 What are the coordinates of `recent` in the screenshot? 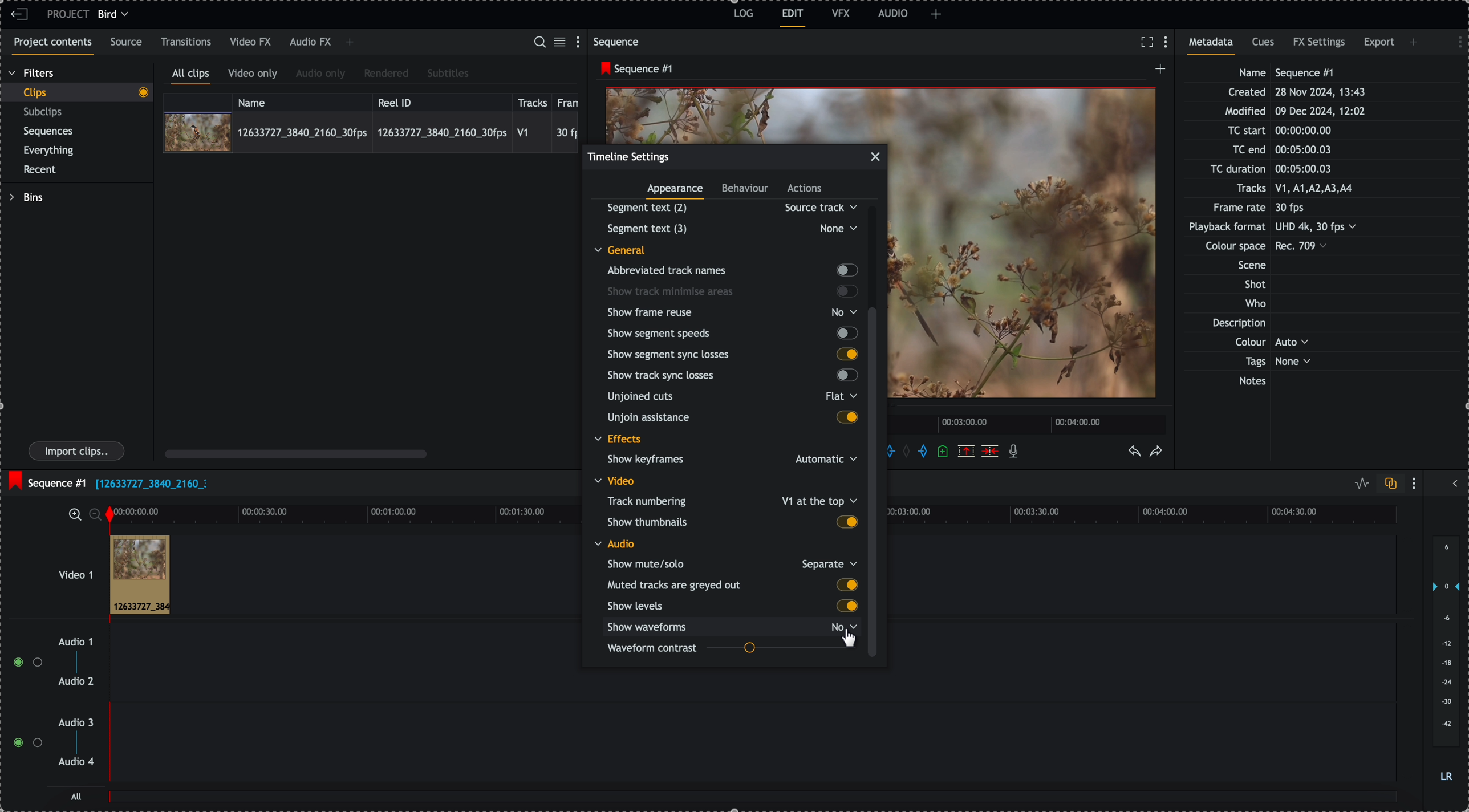 It's located at (42, 170).